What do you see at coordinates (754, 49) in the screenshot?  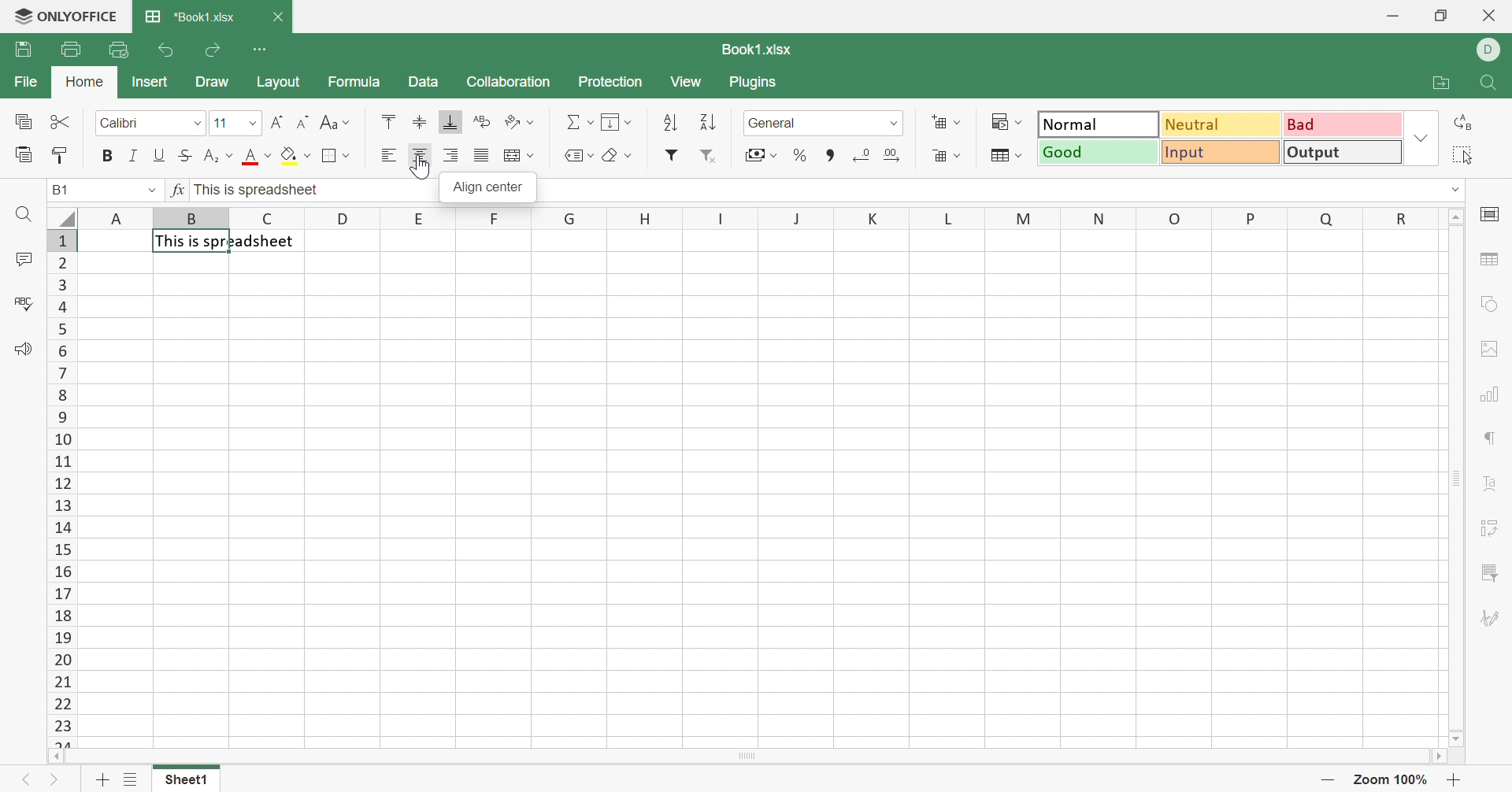 I see `Book1.xlsx` at bounding box center [754, 49].